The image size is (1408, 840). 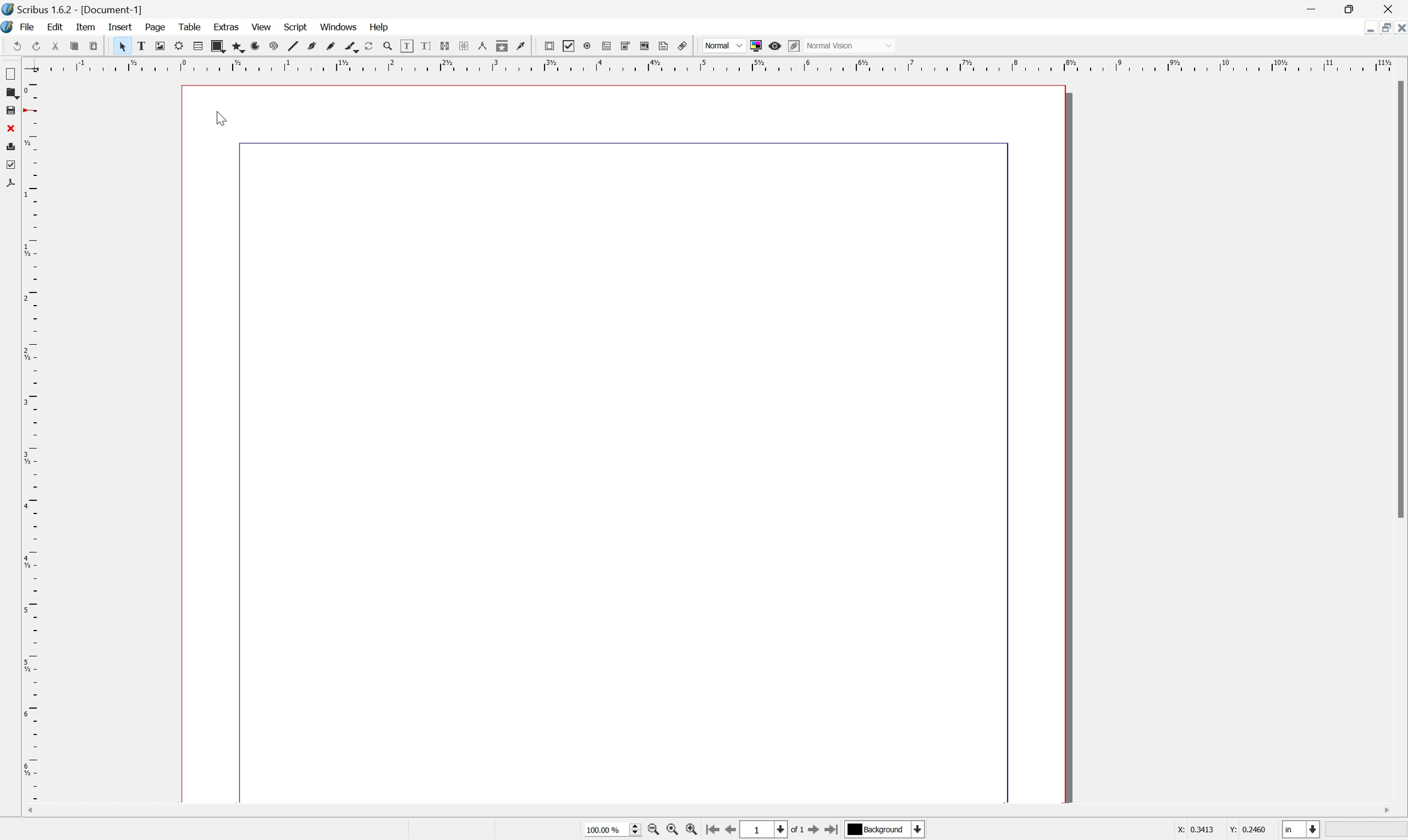 What do you see at coordinates (1399, 298) in the screenshot?
I see `Scroll bar` at bounding box center [1399, 298].